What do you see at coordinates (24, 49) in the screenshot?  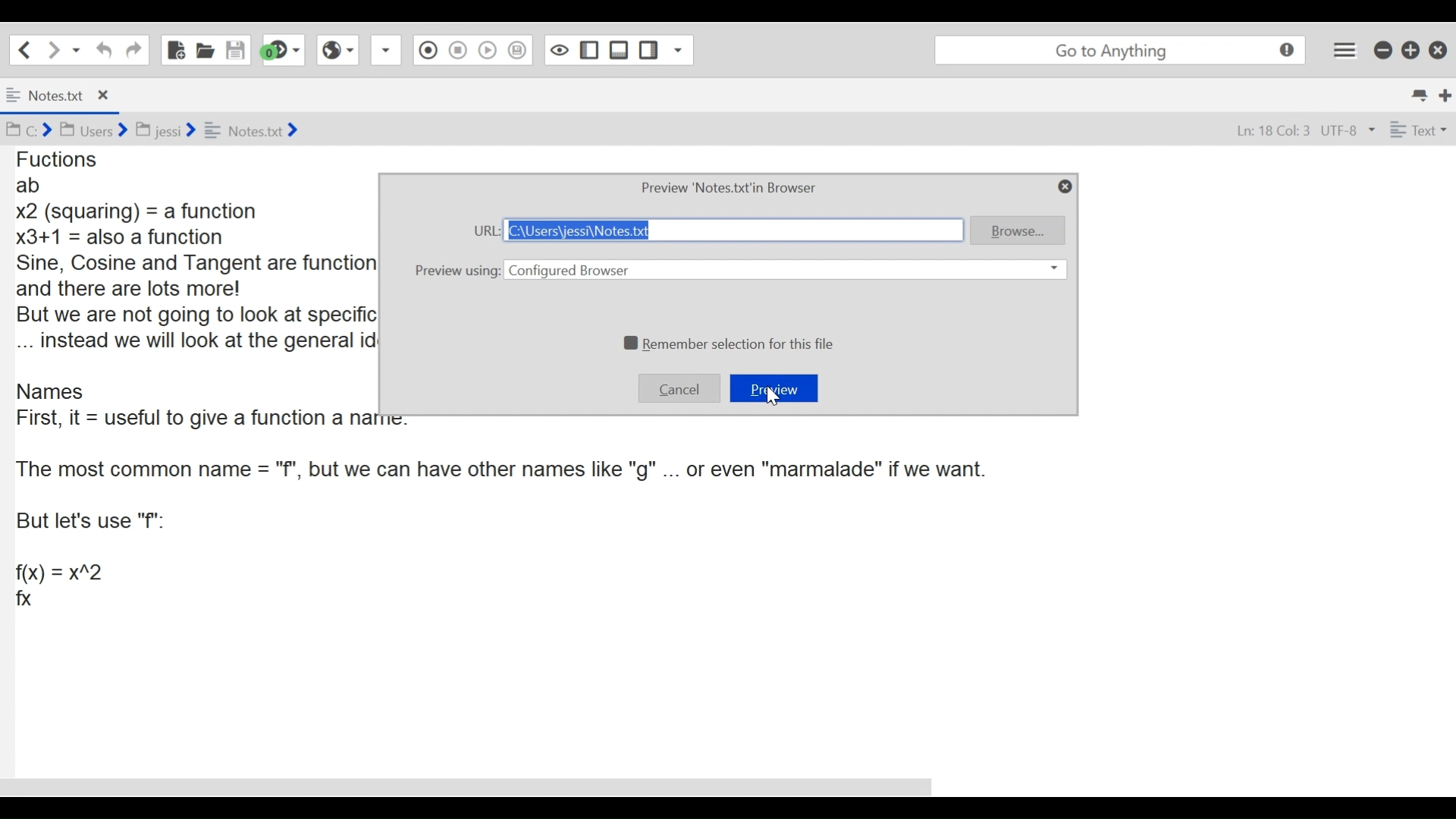 I see `Go Back one location` at bounding box center [24, 49].